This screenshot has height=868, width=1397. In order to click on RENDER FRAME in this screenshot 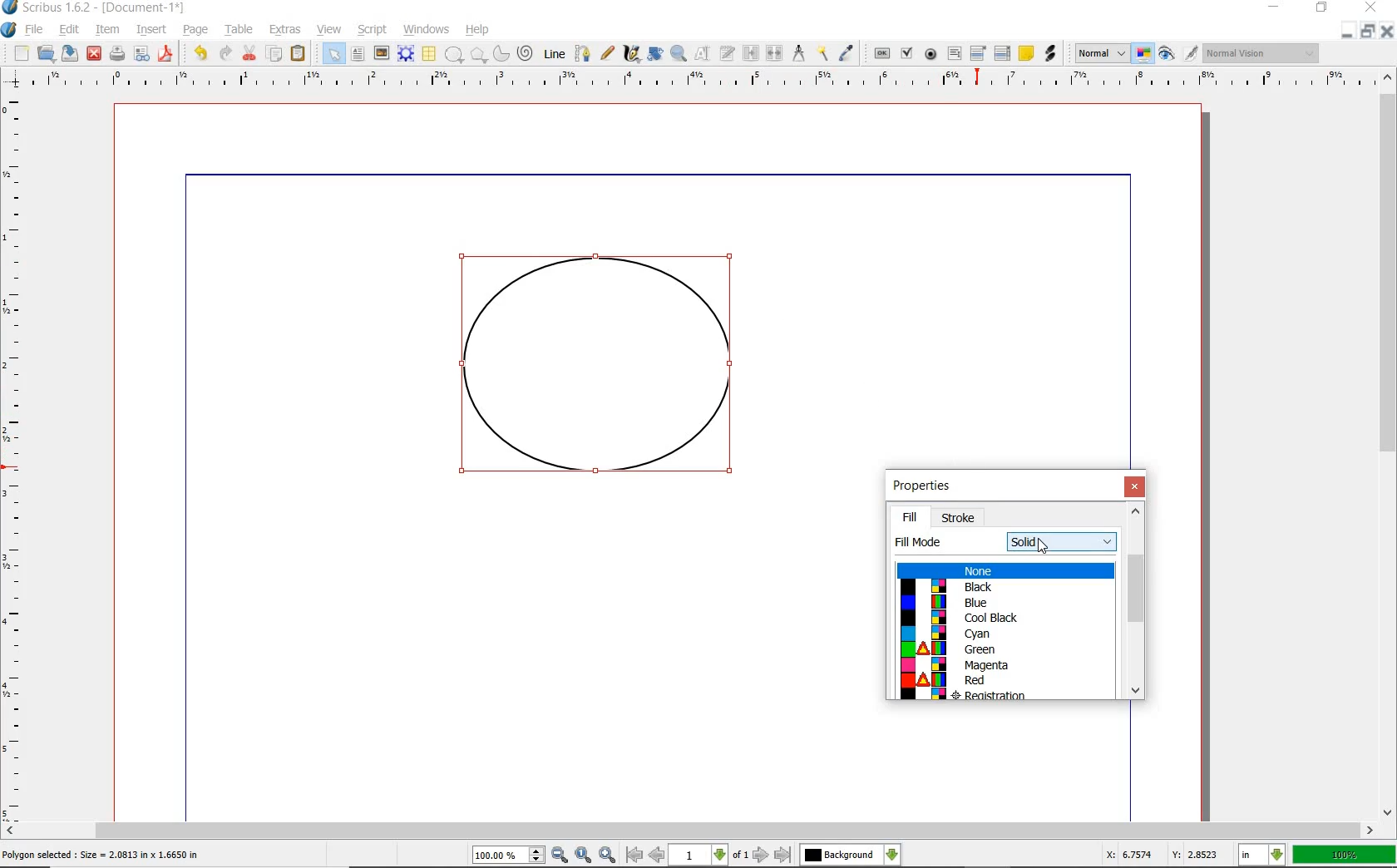, I will do `click(404, 53)`.